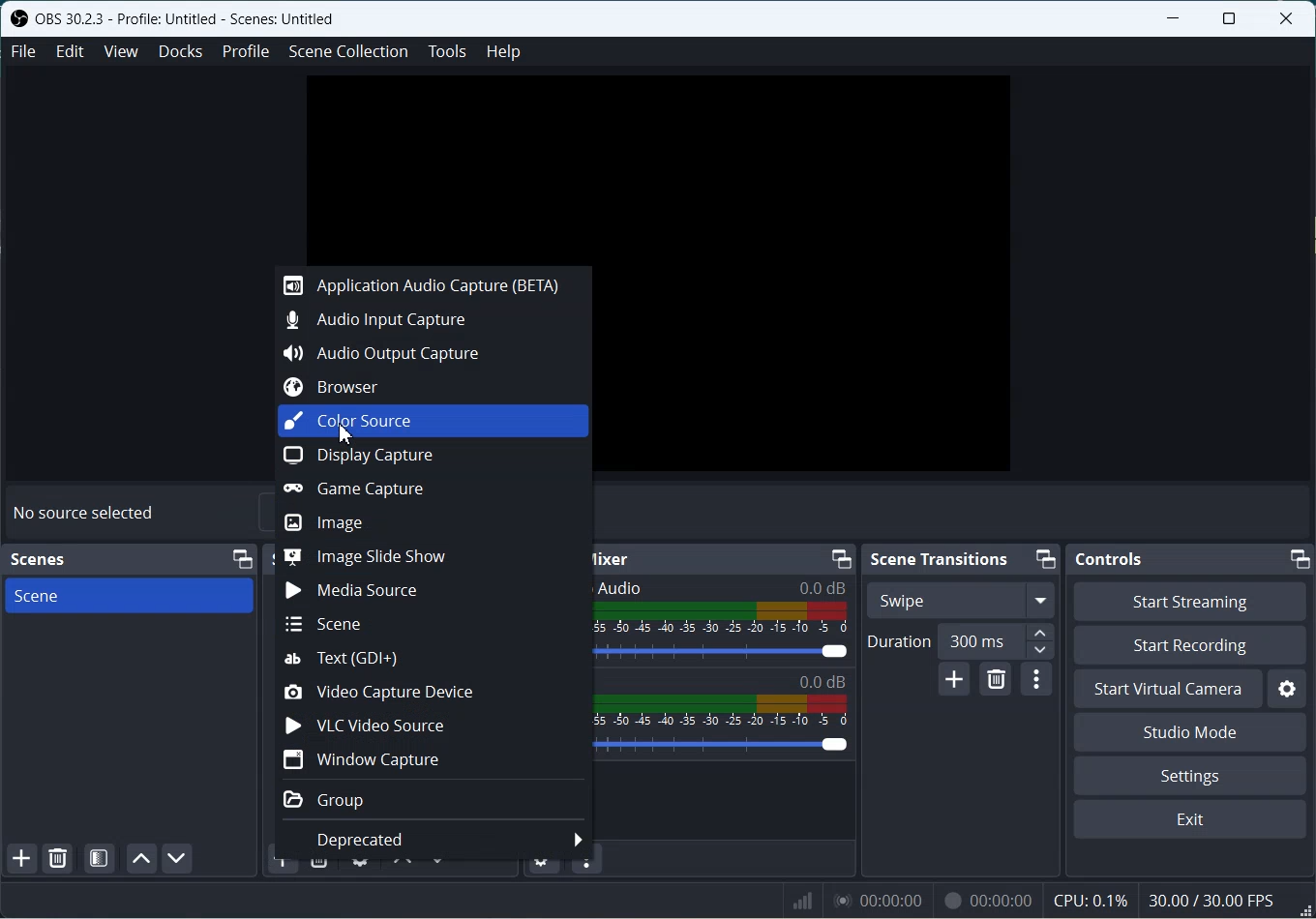  What do you see at coordinates (985, 899) in the screenshot?
I see `00:00:00` at bounding box center [985, 899].